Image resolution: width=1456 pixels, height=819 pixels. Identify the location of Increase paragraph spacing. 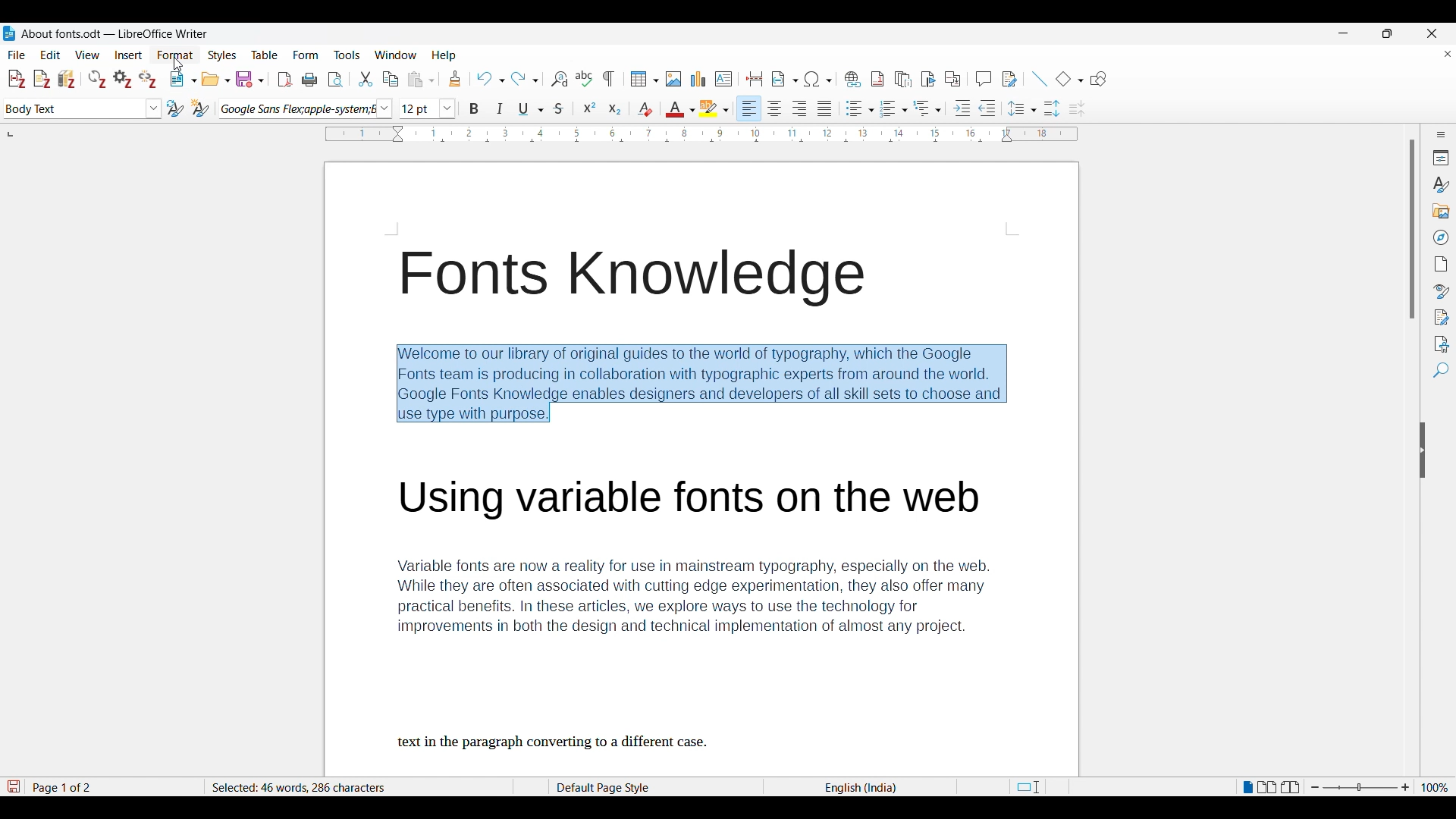
(1052, 108).